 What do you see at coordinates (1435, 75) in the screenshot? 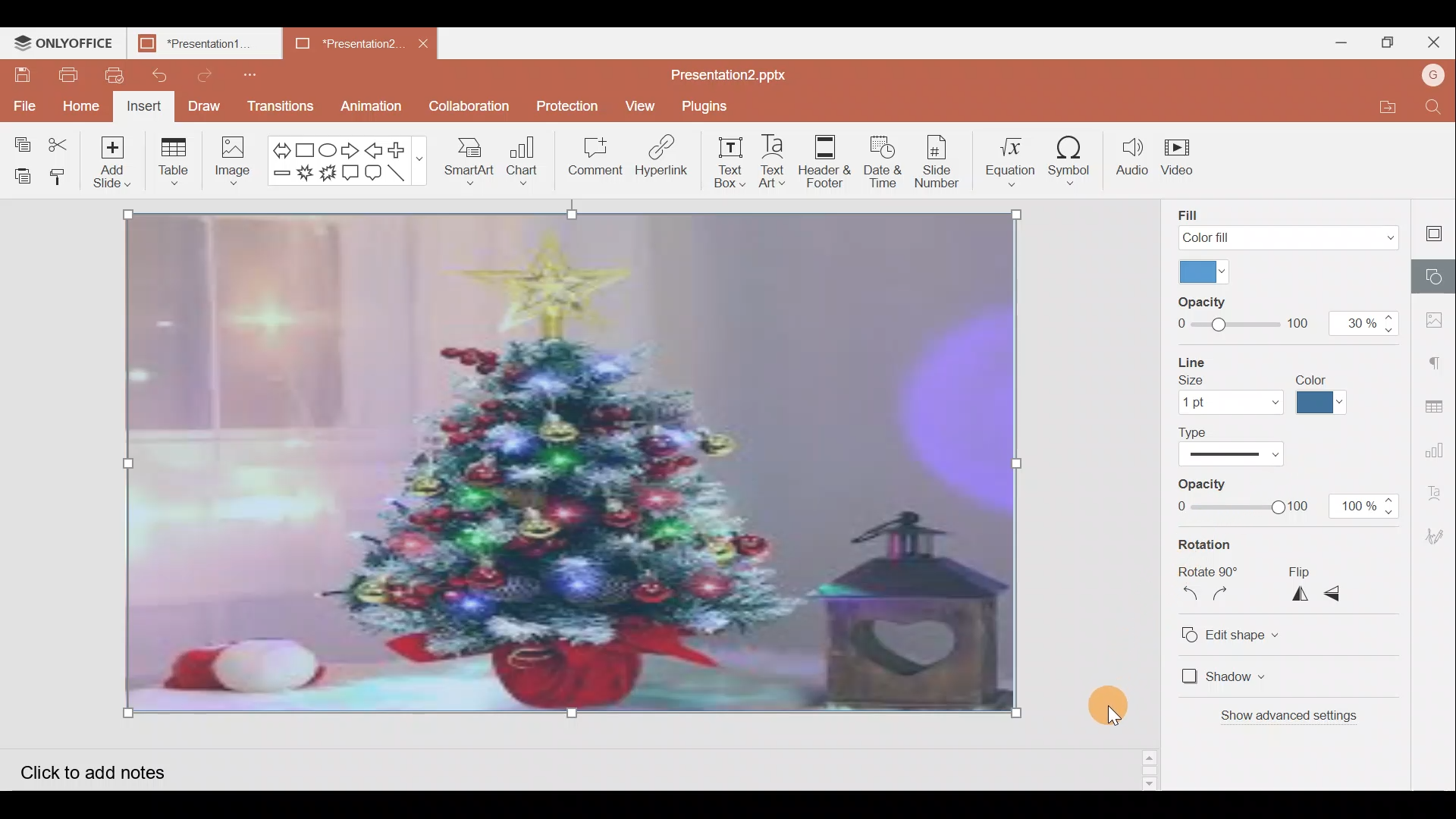
I see `Account name` at bounding box center [1435, 75].